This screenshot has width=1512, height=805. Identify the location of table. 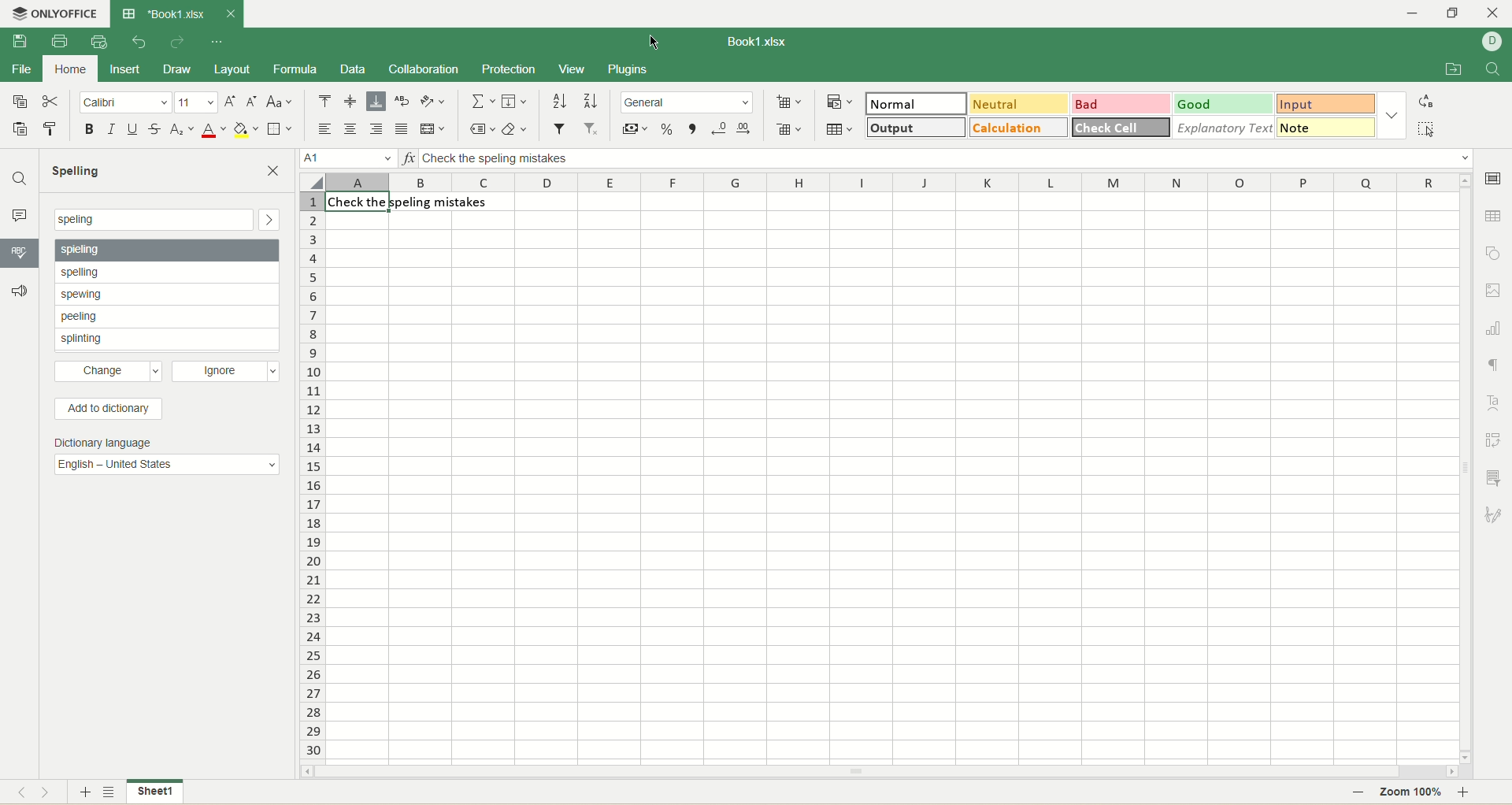
(840, 128).